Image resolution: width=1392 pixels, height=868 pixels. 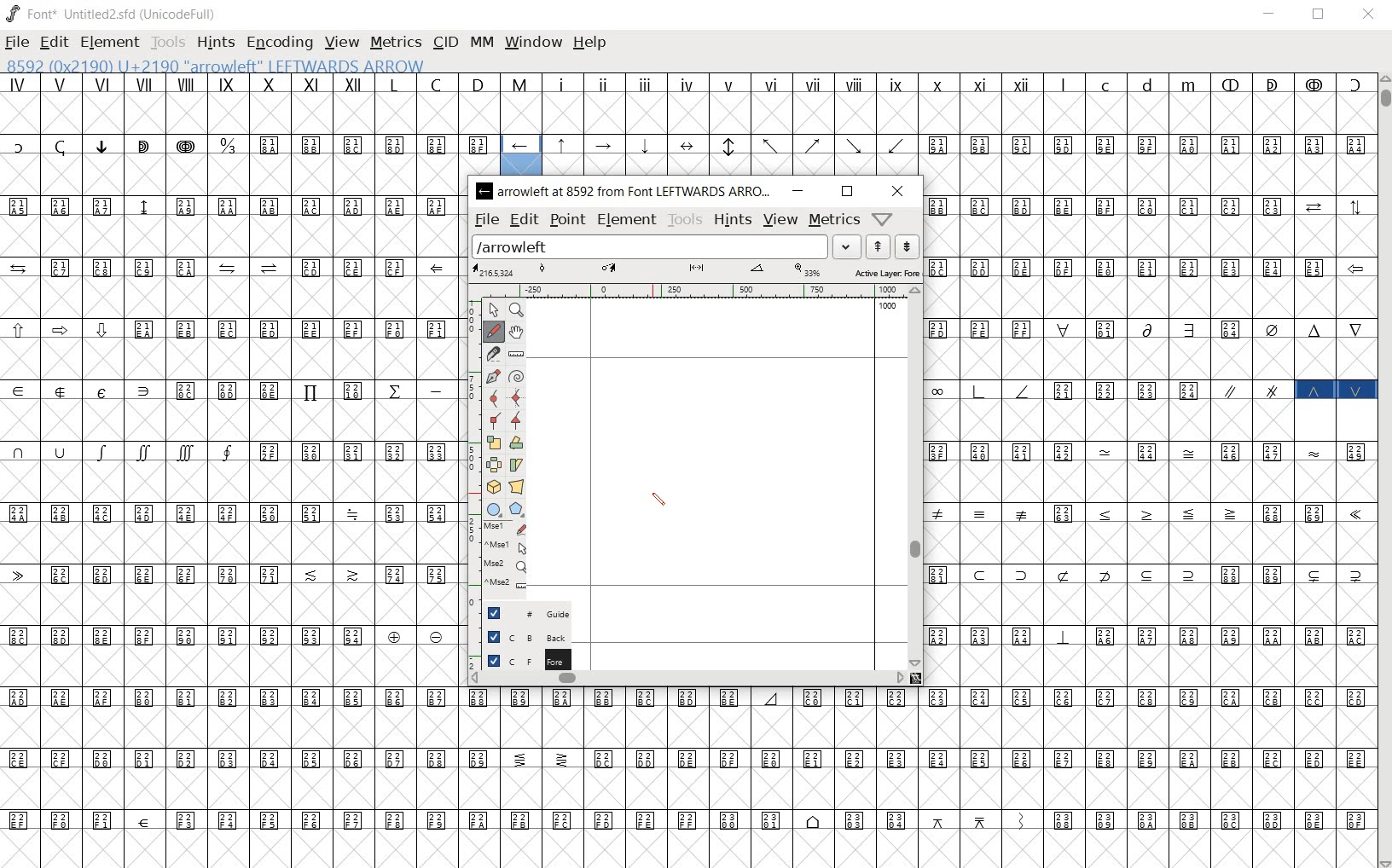 I want to click on view, so click(x=782, y=220).